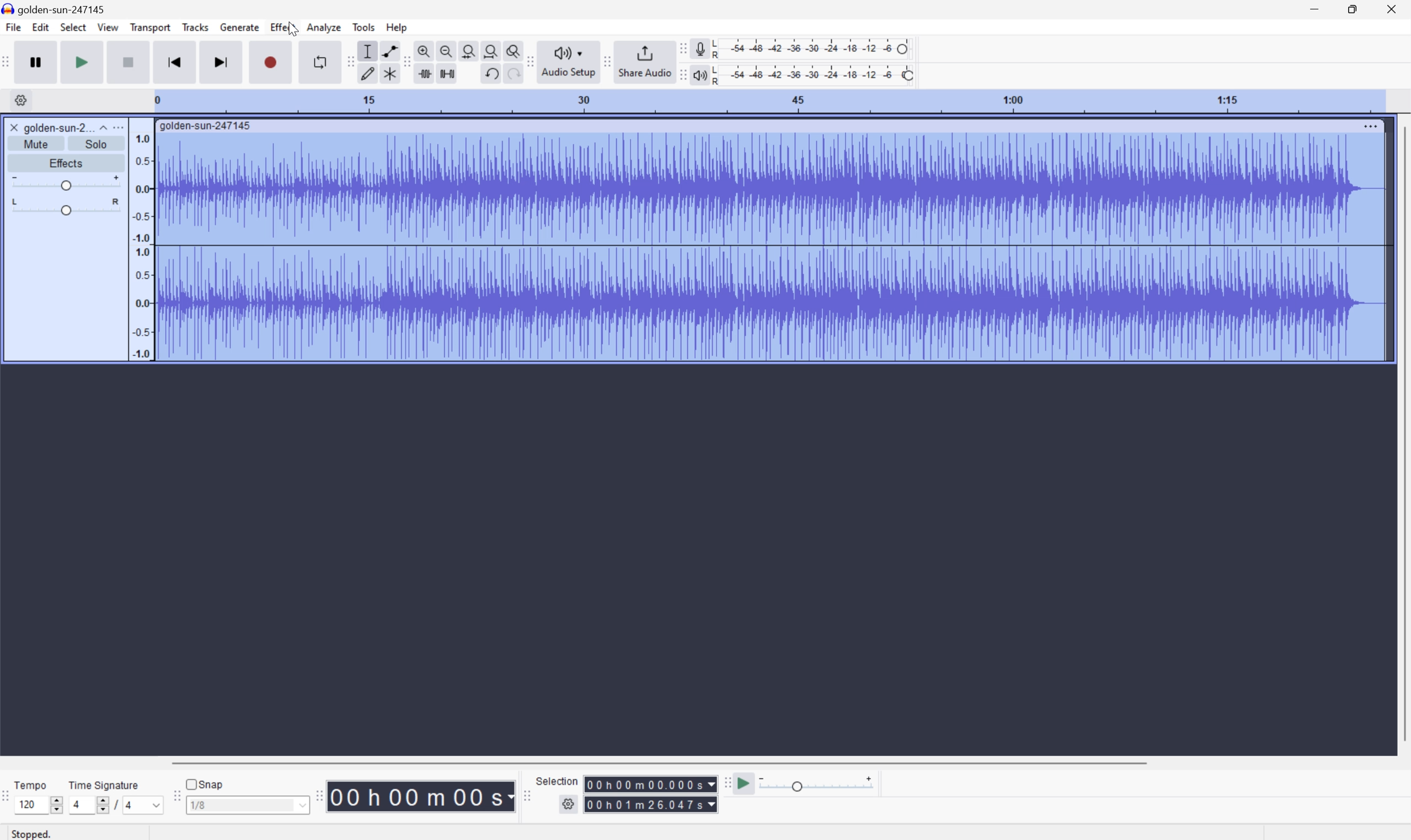  What do you see at coordinates (1370, 126) in the screenshot?
I see `More` at bounding box center [1370, 126].